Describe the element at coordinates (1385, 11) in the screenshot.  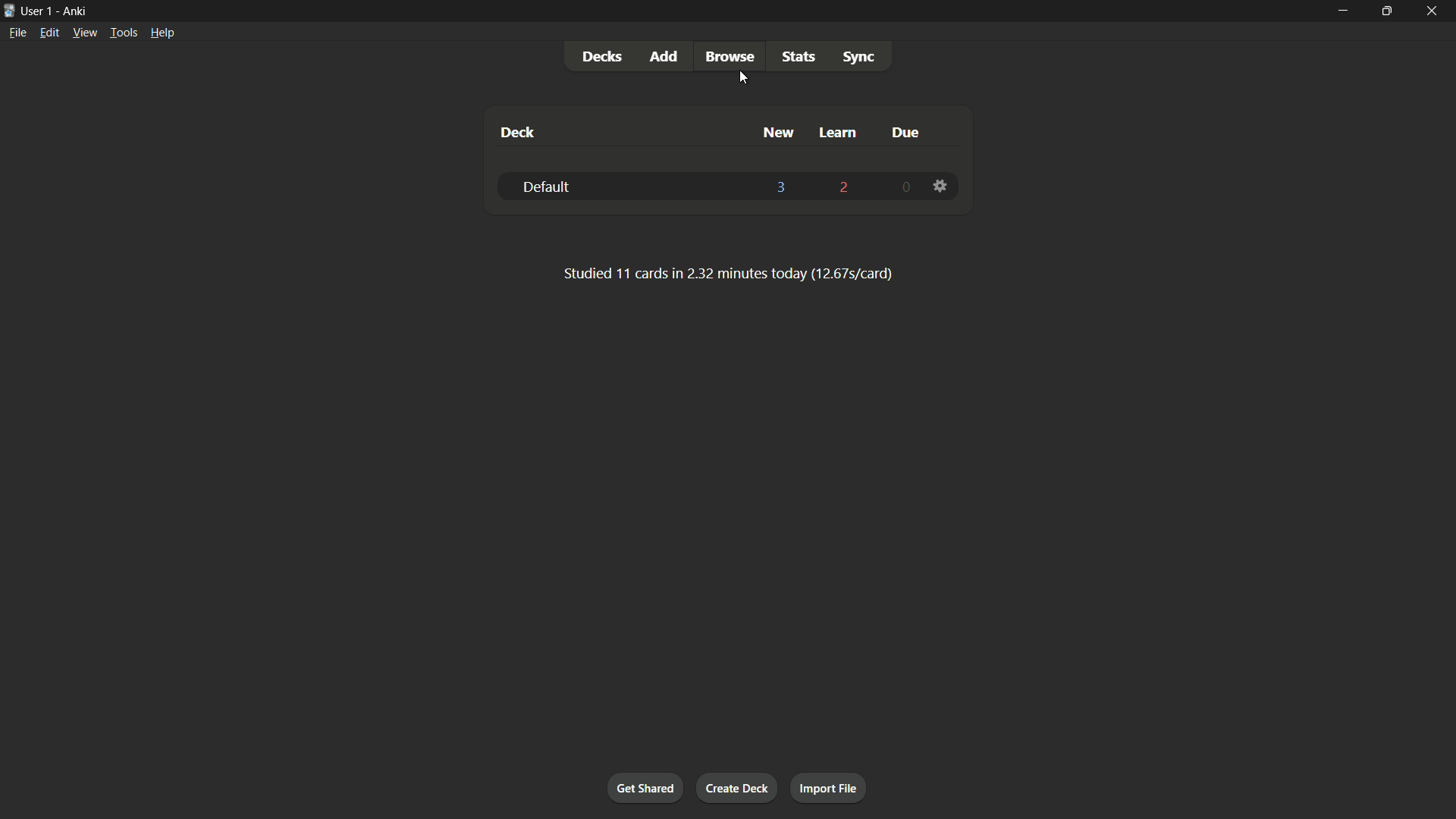
I see `maximize` at that location.